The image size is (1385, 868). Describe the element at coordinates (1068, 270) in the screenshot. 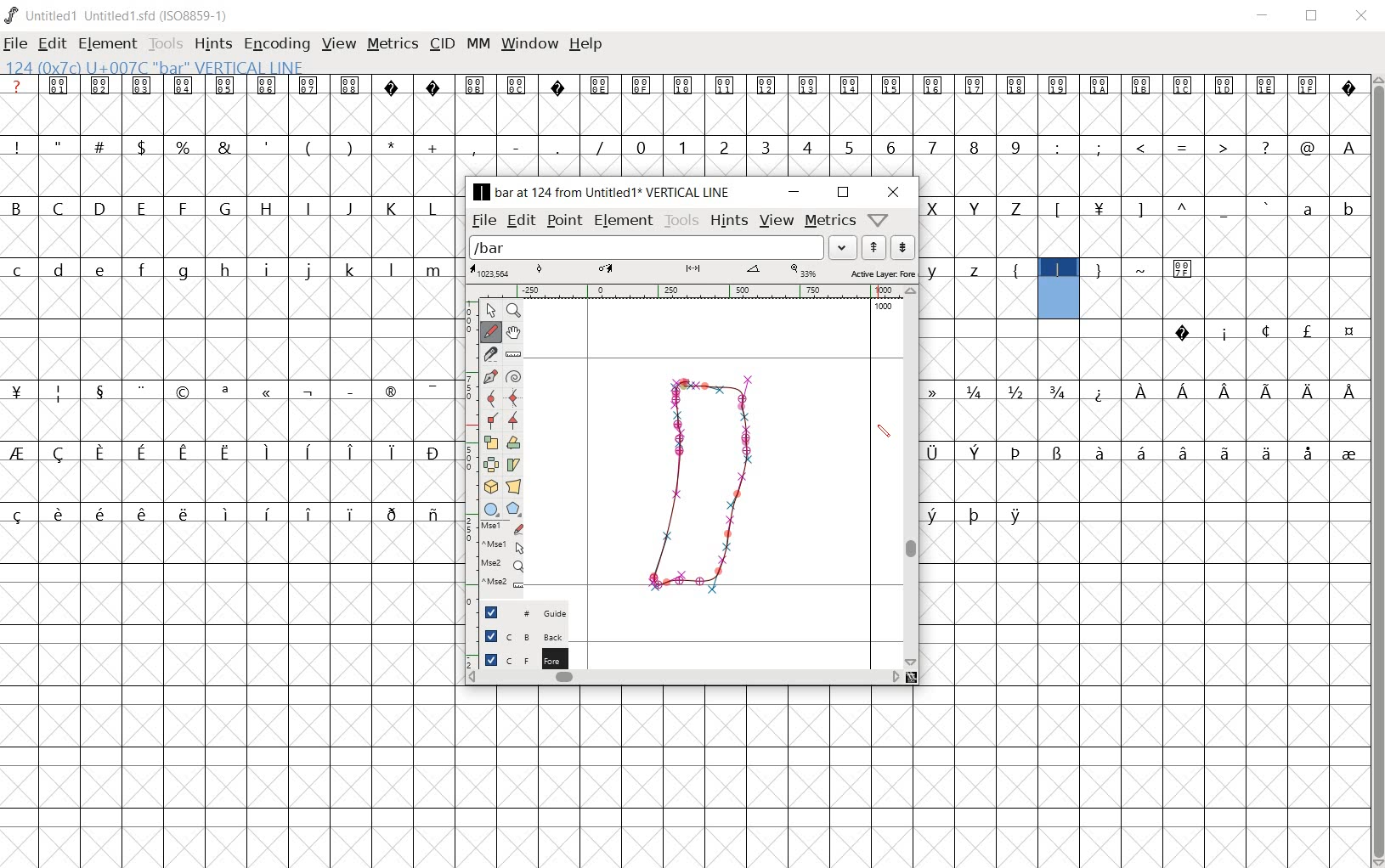

I see `letters and symbols` at that location.